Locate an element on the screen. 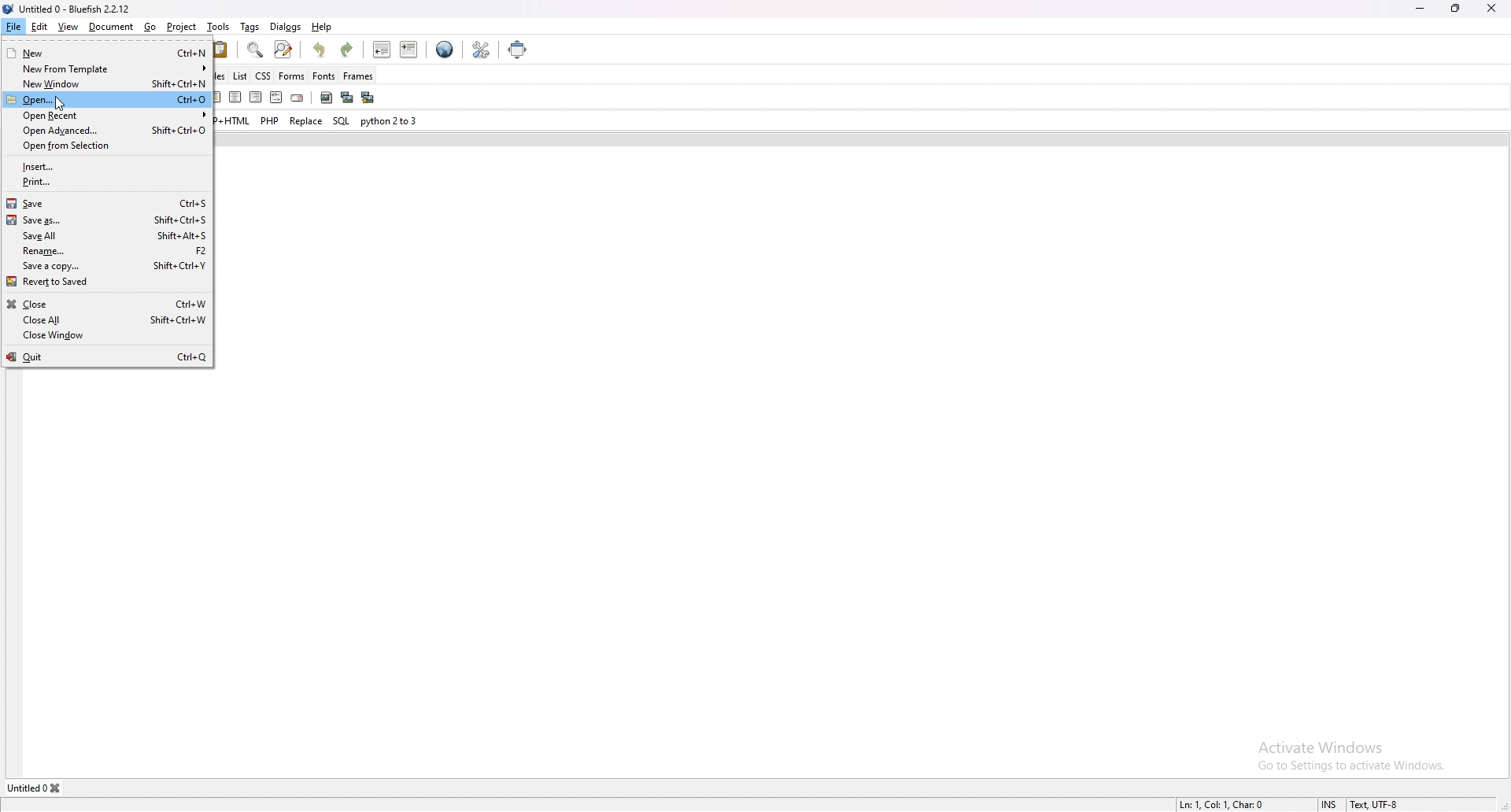 The height and width of the screenshot is (812, 1511). Ctr+Q | is located at coordinates (193, 356).